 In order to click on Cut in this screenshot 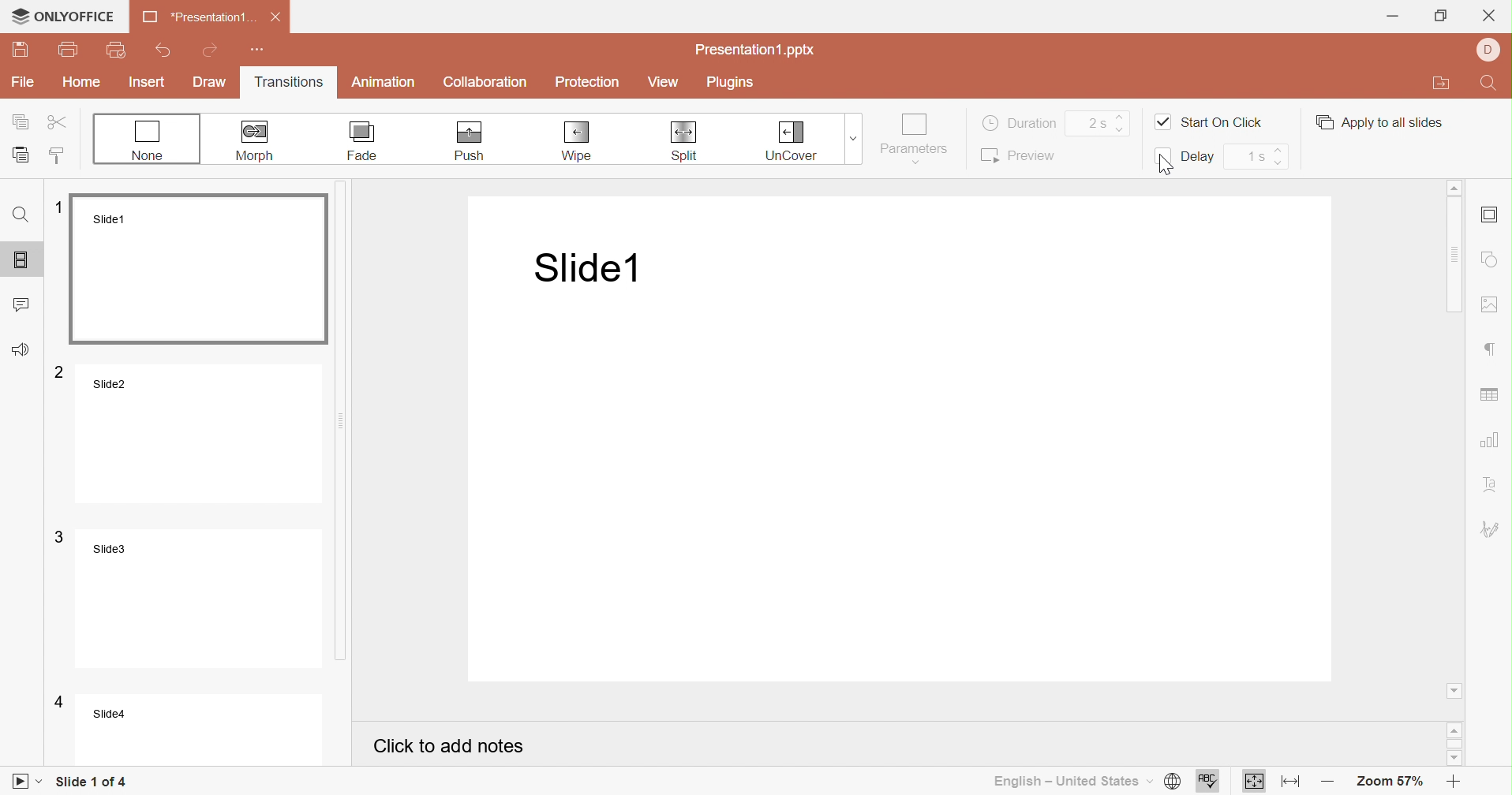, I will do `click(62, 124)`.